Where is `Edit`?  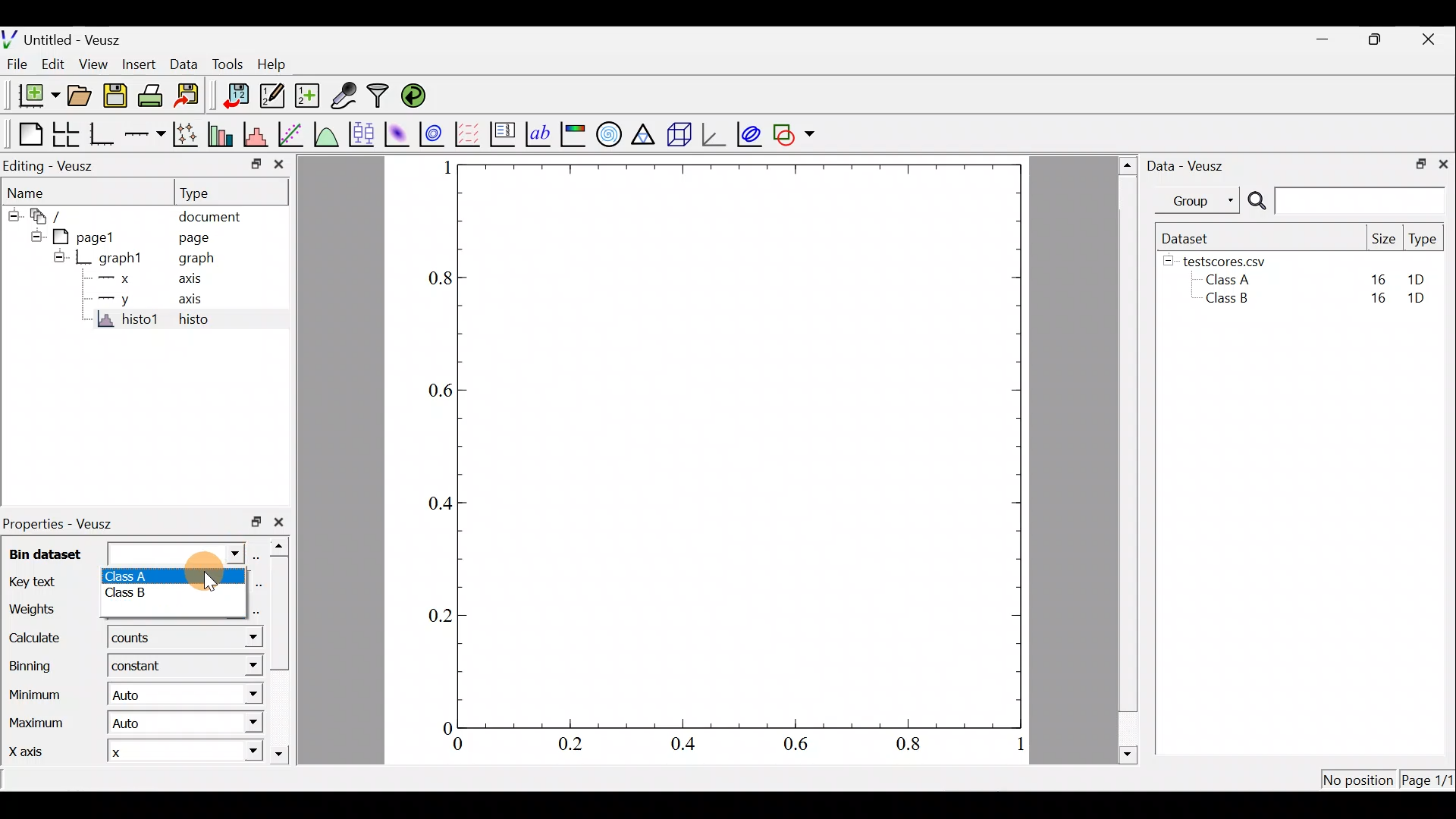
Edit is located at coordinates (56, 64).